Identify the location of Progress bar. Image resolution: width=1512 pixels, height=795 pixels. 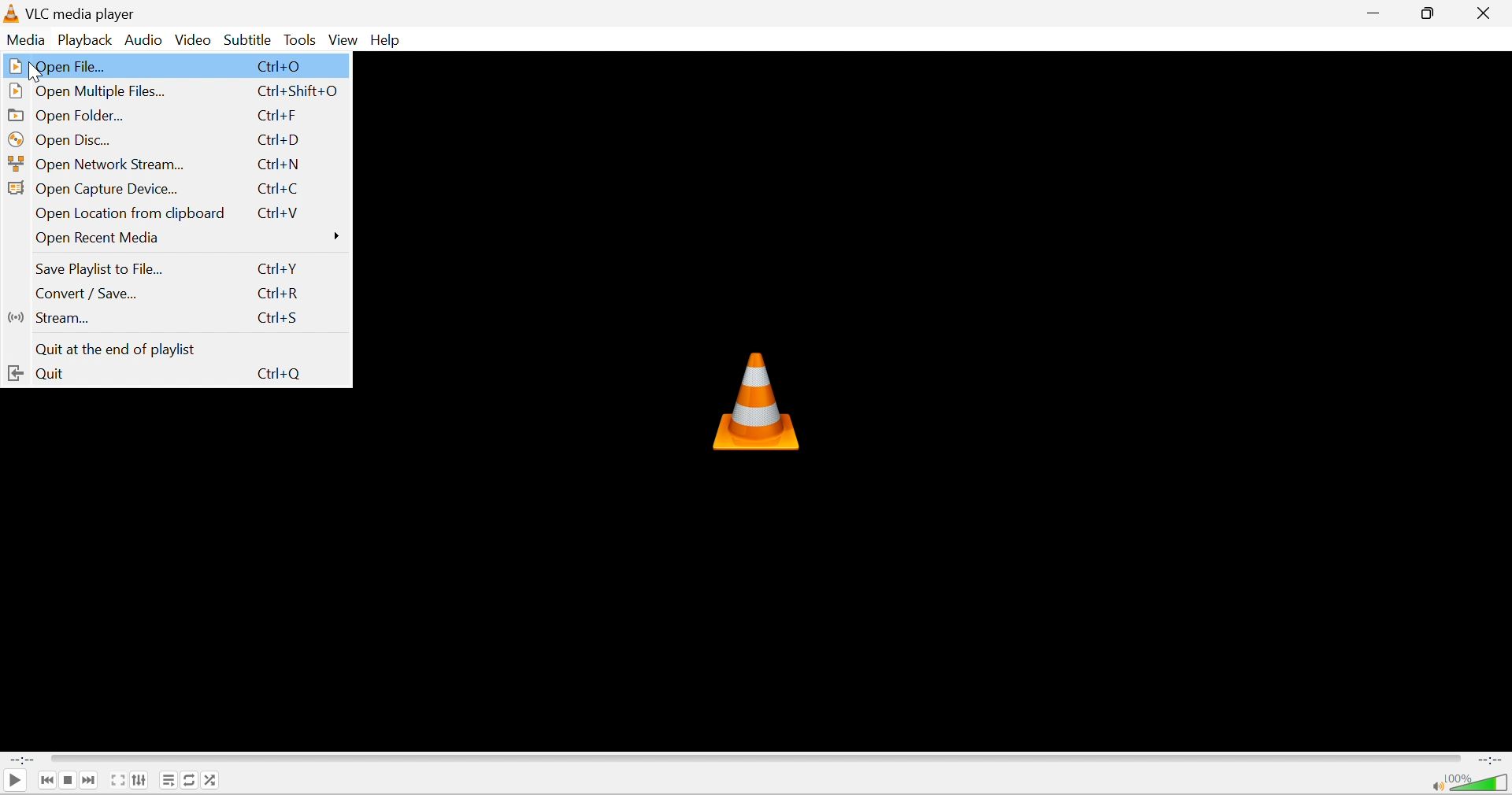
(755, 760).